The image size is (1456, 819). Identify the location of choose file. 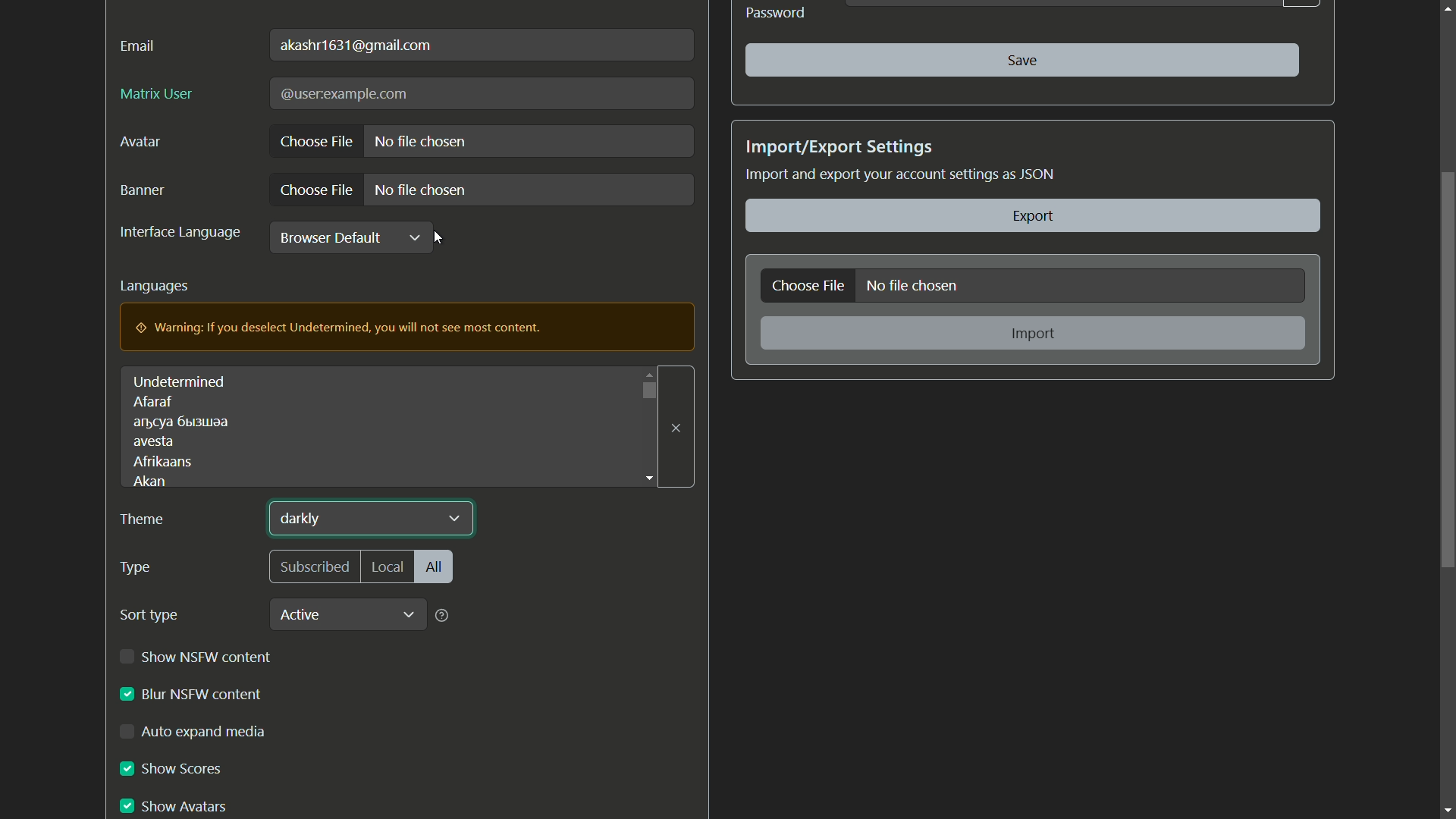
(316, 143).